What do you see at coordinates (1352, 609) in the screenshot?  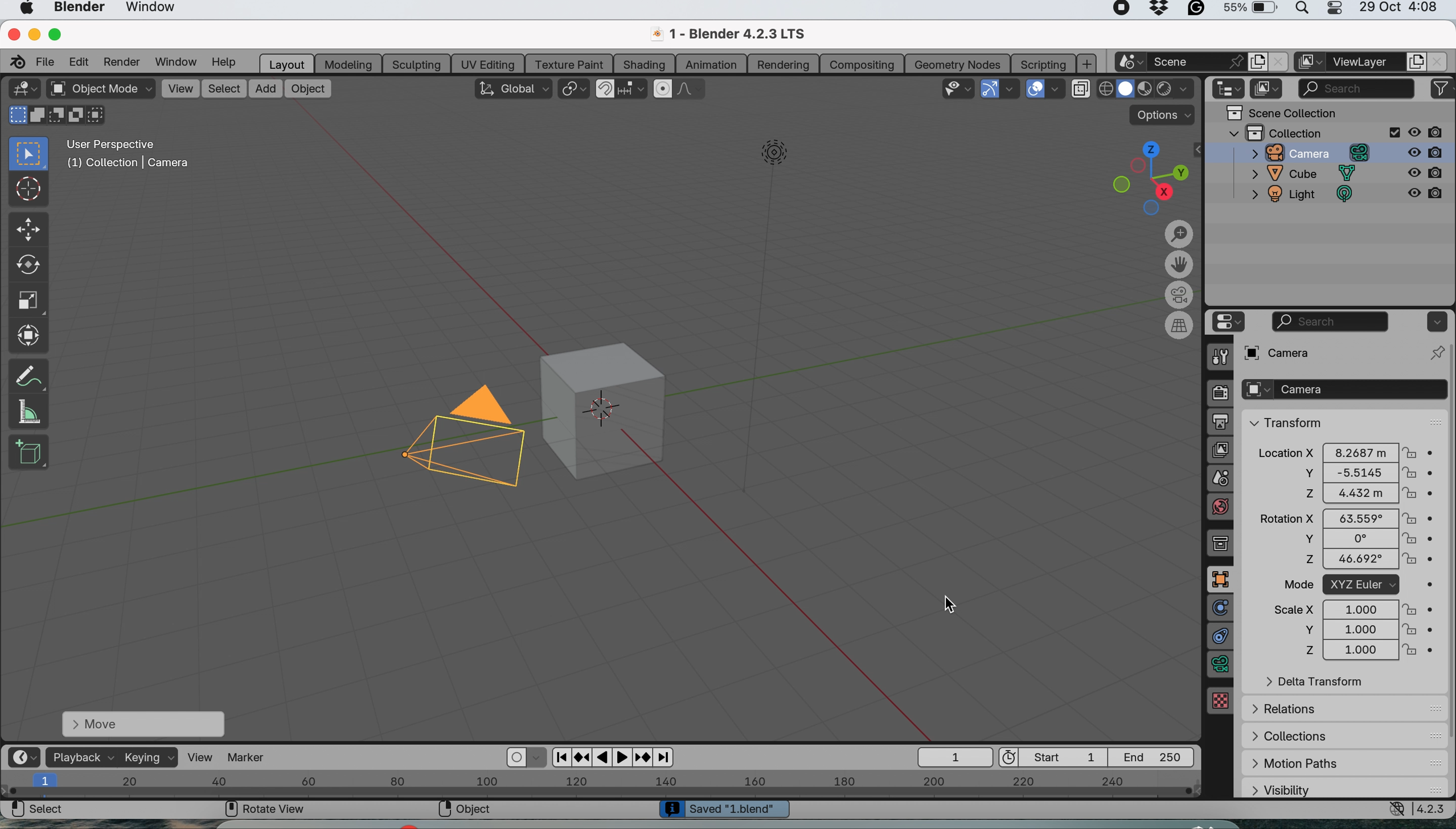 I see `scale x 1.000` at bounding box center [1352, 609].